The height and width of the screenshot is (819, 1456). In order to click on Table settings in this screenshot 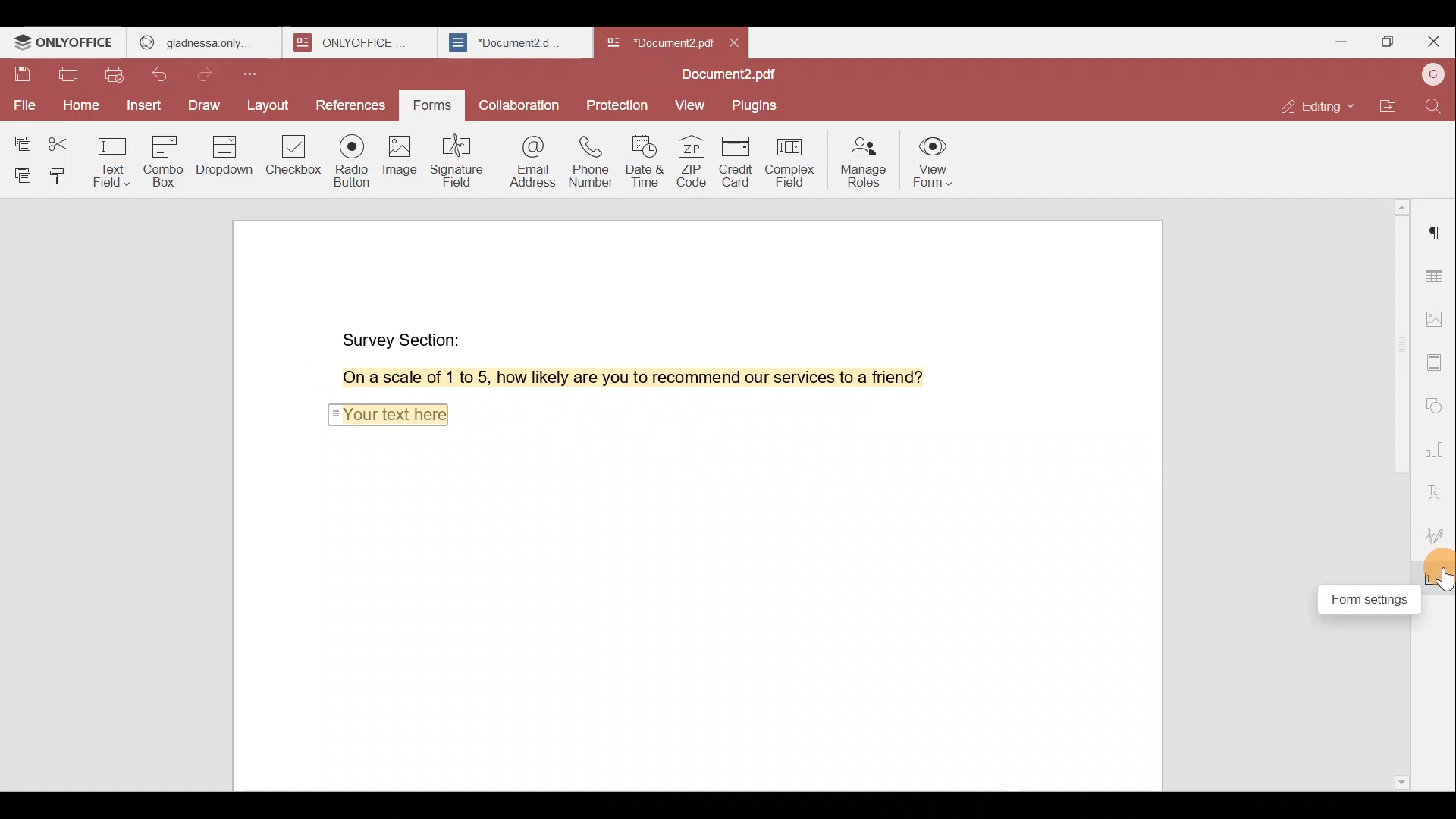, I will do `click(1436, 272)`.